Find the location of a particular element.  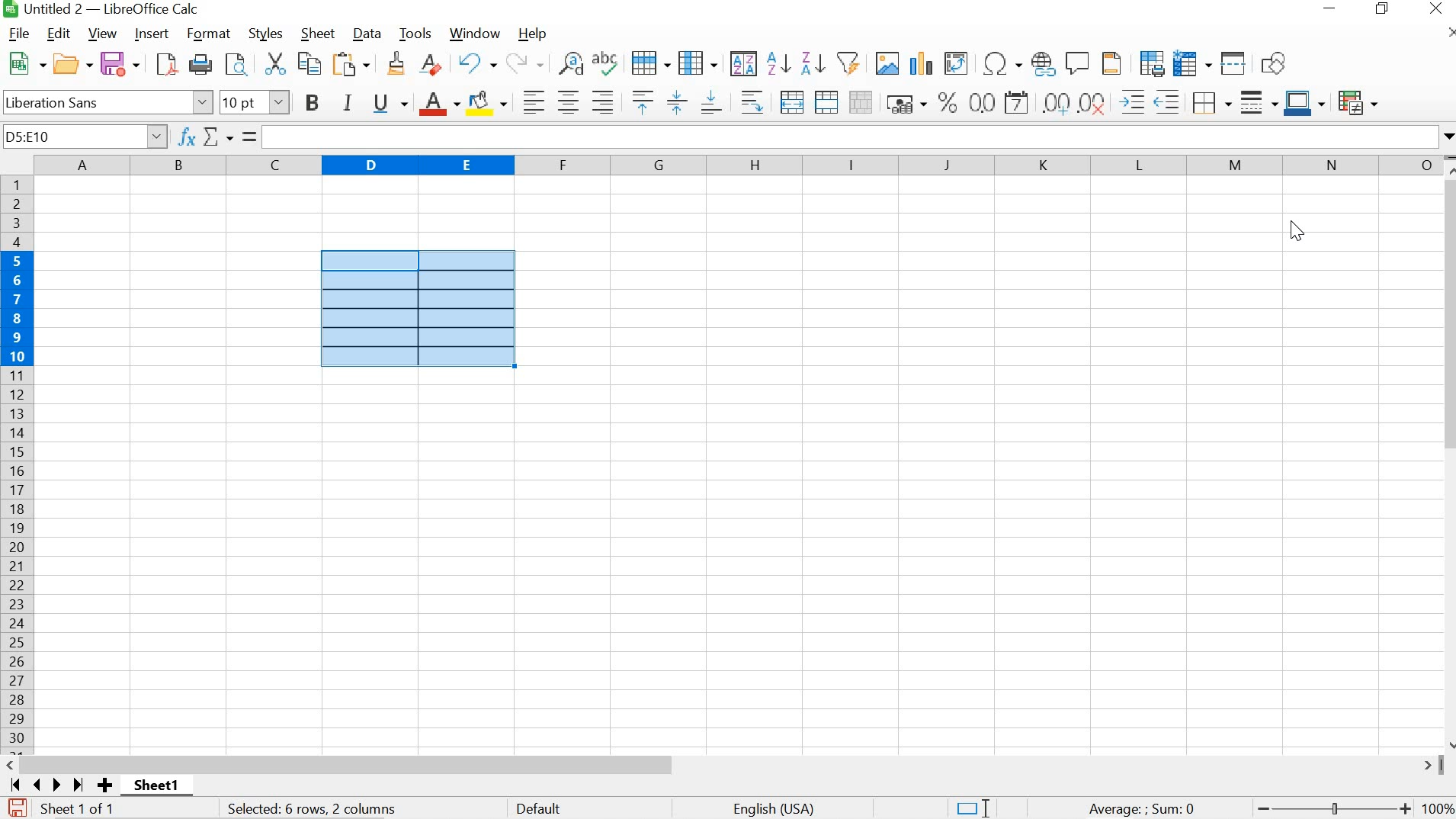

select function is located at coordinates (229, 136).